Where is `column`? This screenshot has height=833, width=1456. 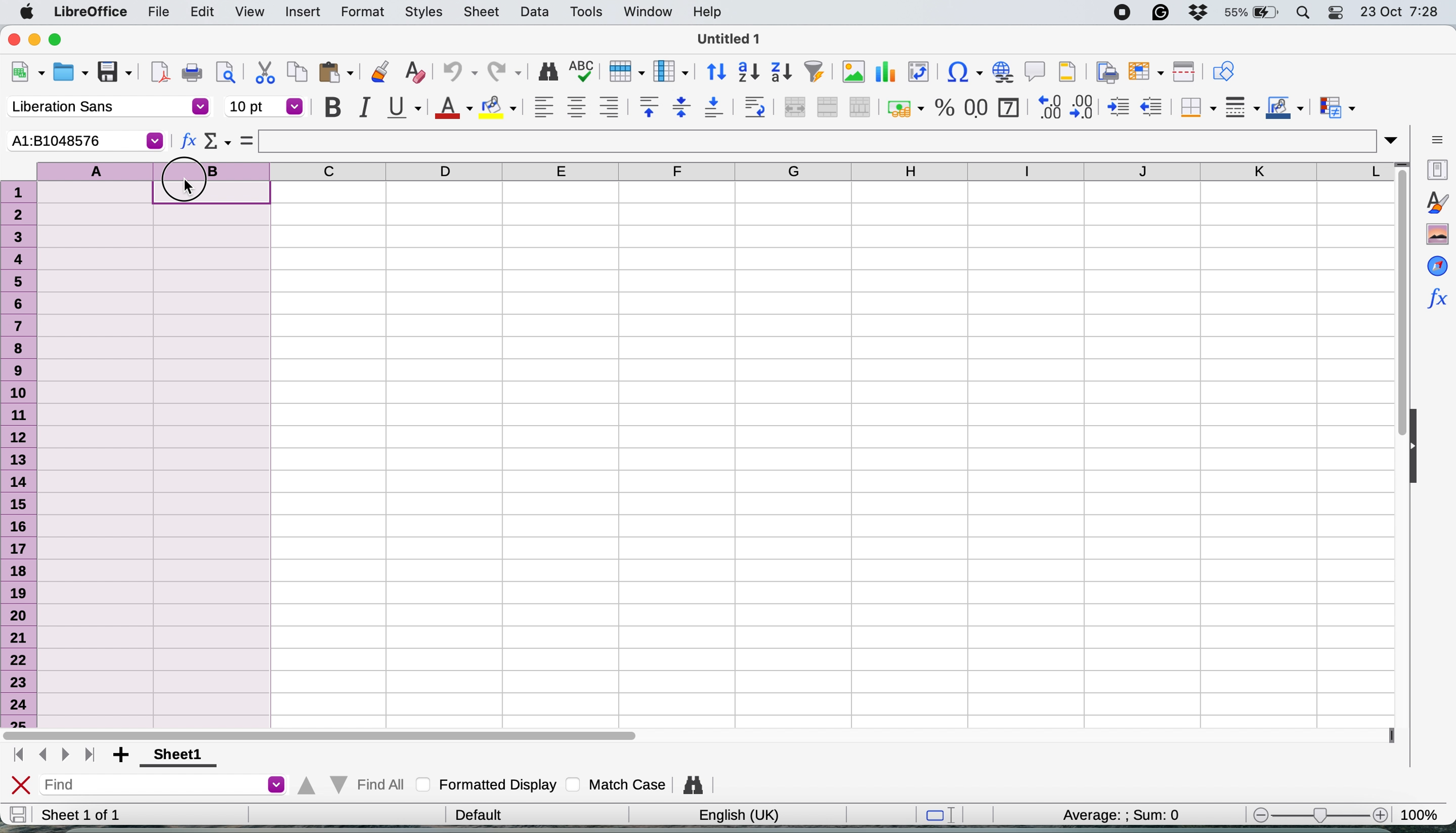
column is located at coordinates (672, 71).